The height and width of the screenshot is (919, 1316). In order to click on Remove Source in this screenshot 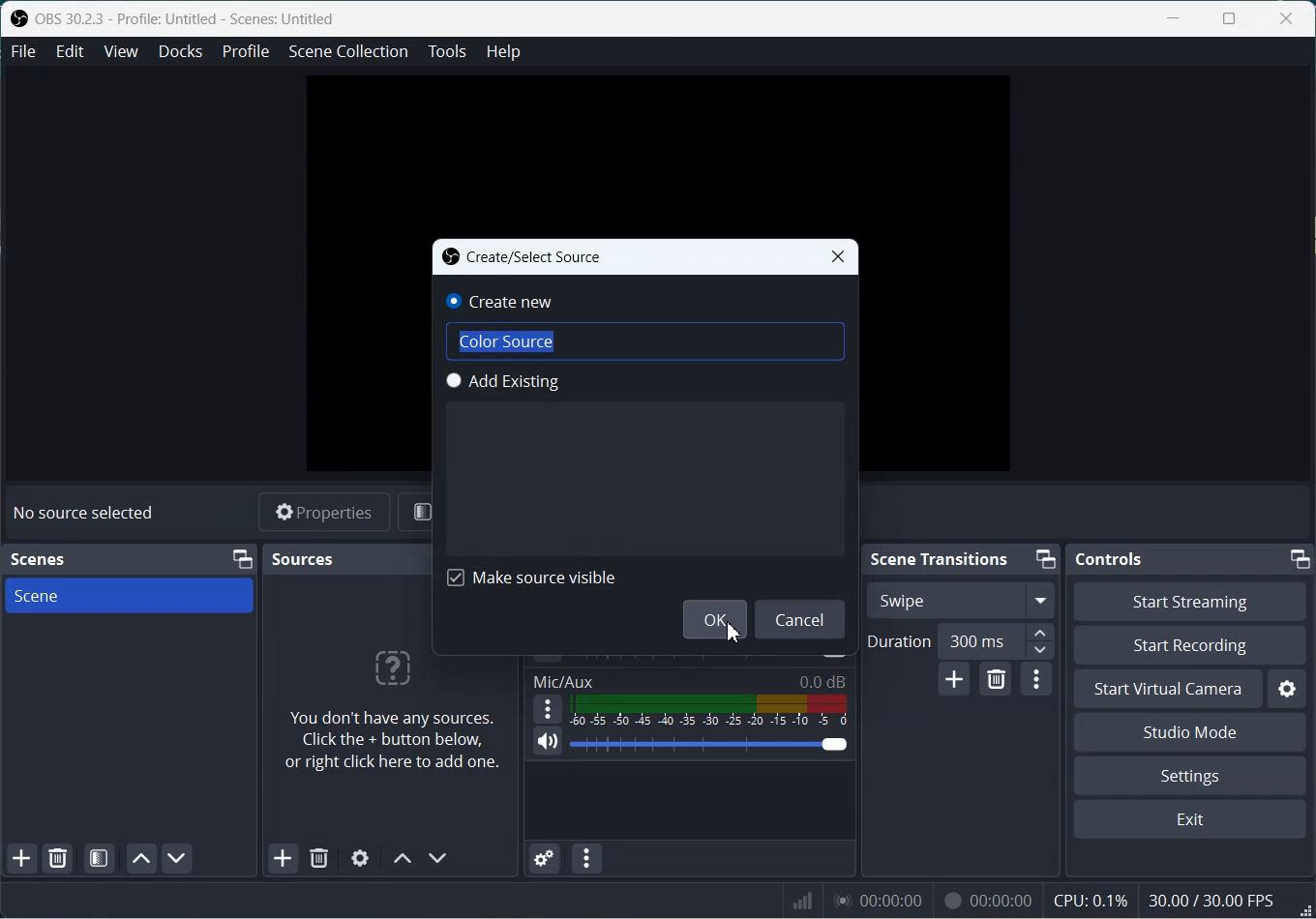, I will do `click(321, 858)`.